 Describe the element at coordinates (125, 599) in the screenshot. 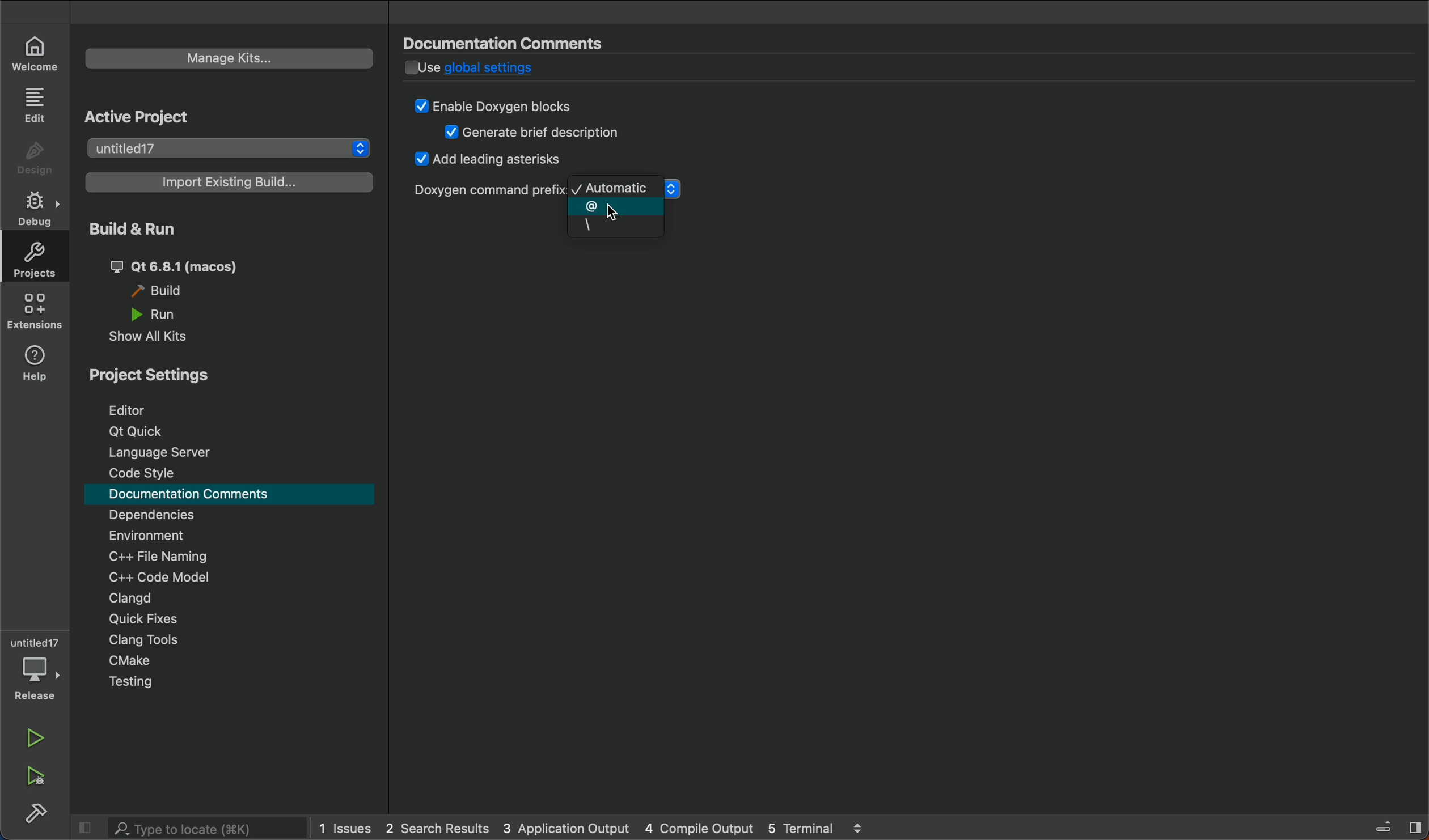

I see `clangd` at that location.